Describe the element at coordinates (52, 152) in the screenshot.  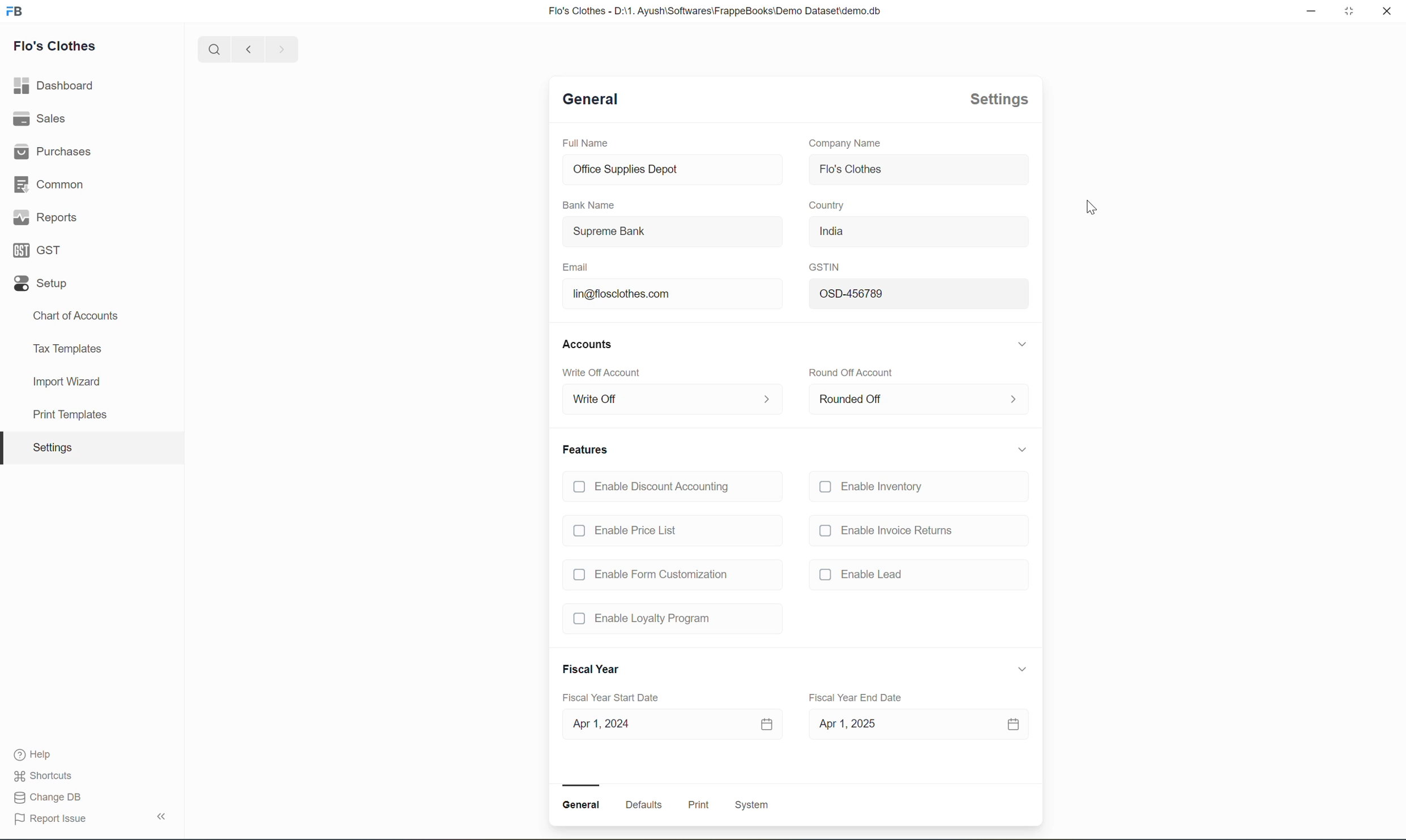
I see `Purchases` at that location.